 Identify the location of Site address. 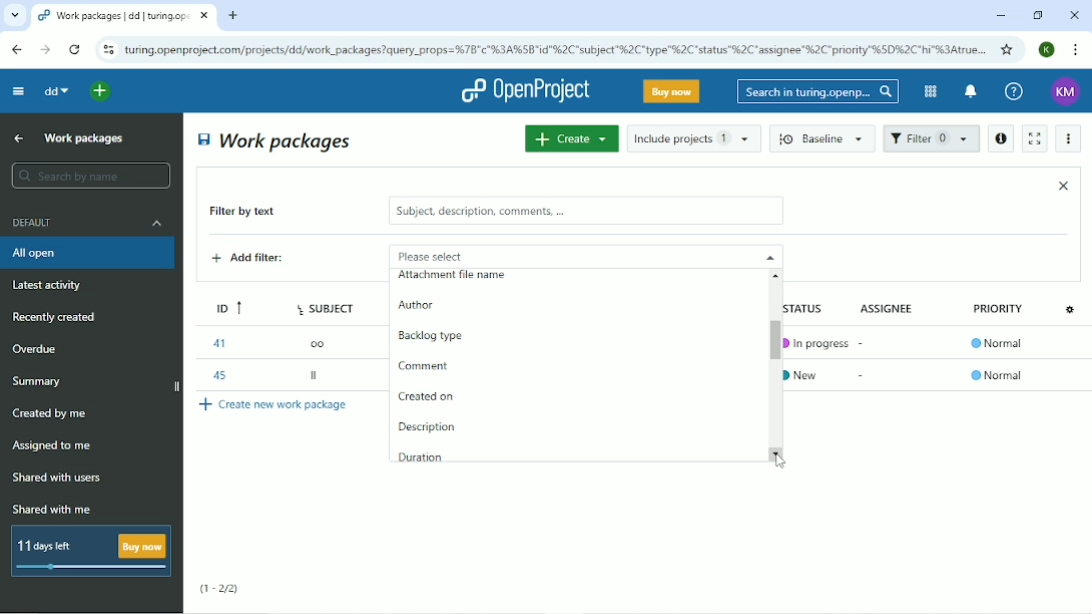
(555, 48).